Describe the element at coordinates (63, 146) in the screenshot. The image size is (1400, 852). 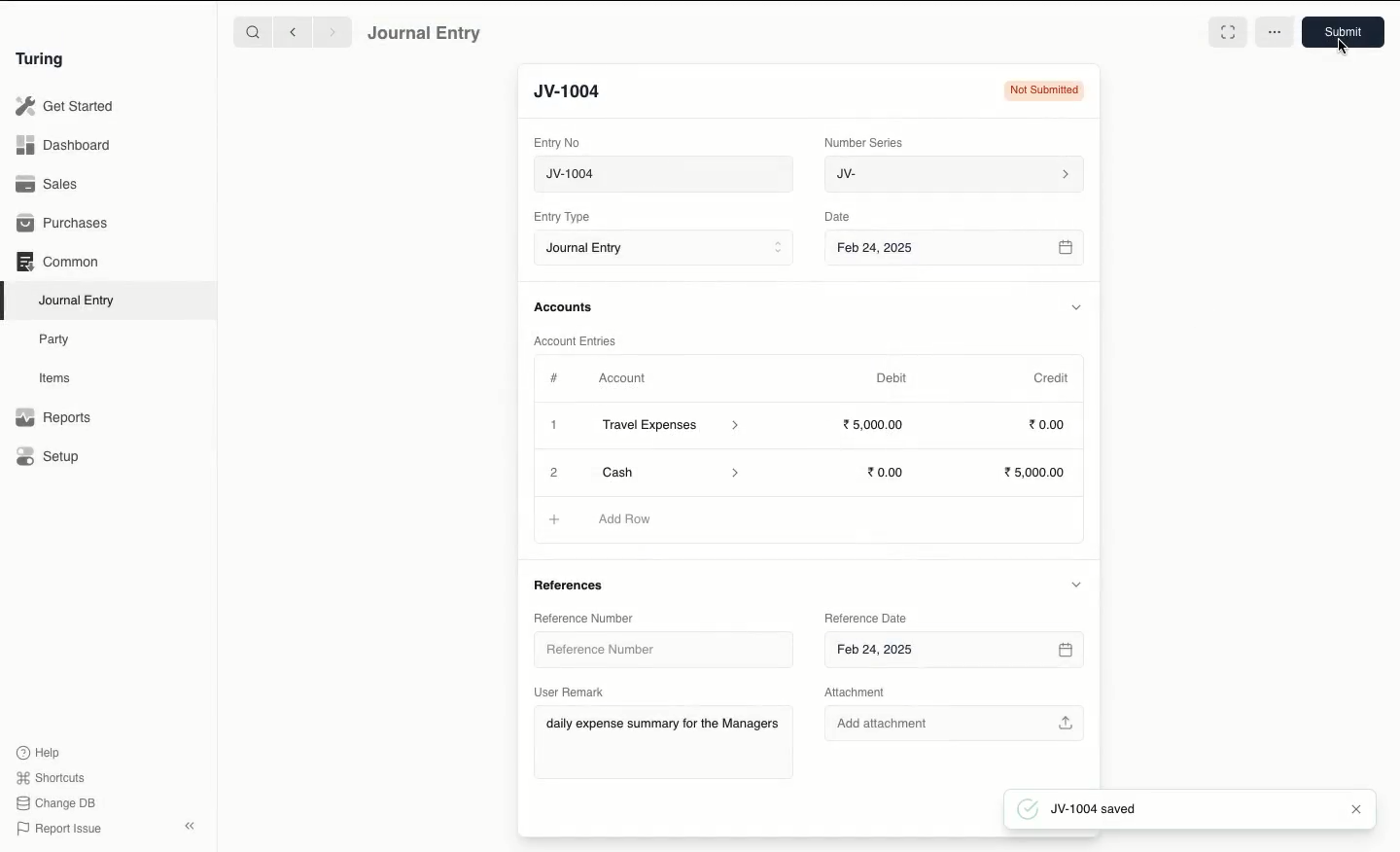
I see `Dashboard` at that location.